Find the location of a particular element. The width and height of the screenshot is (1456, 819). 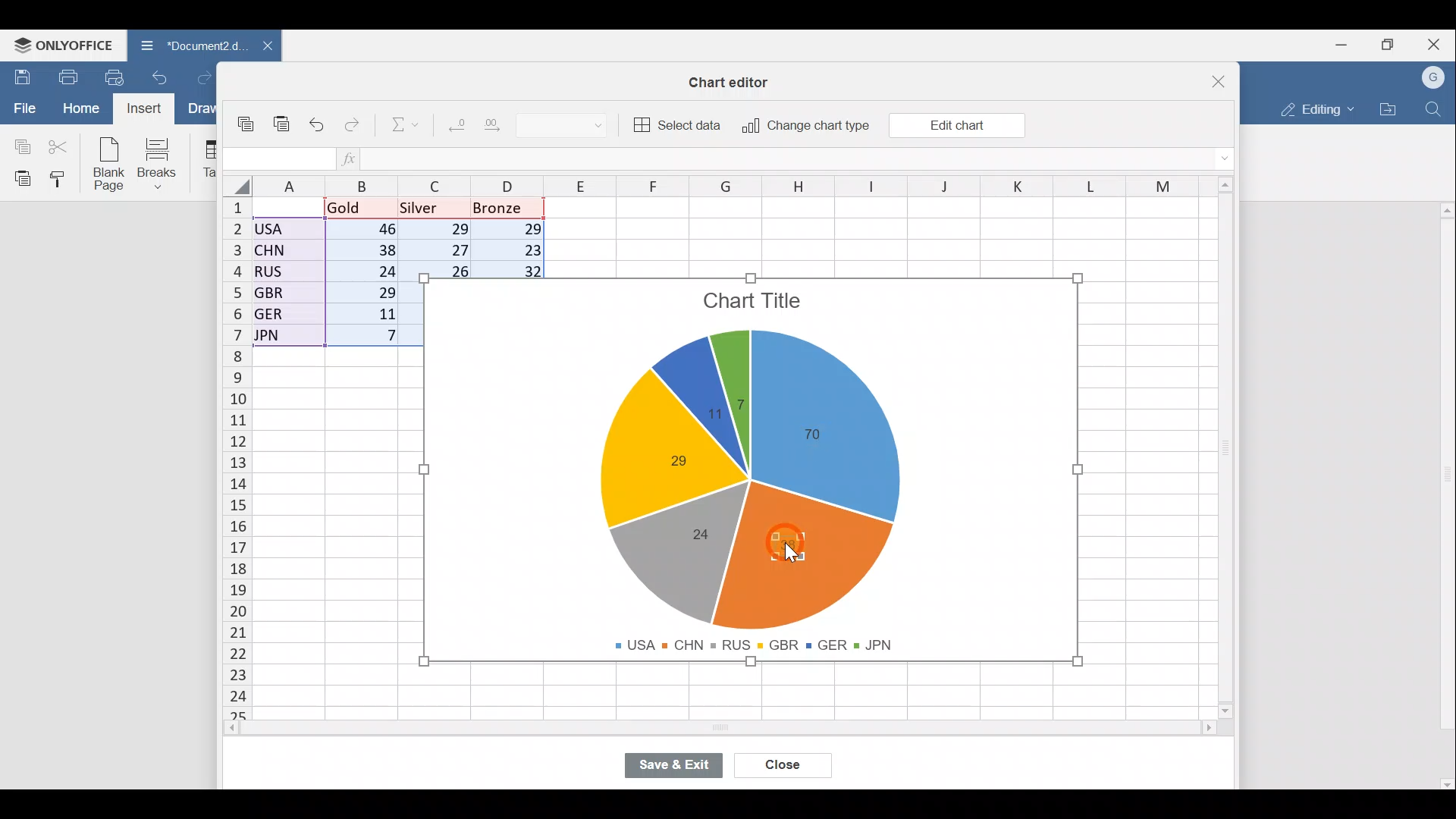

Chart legends is located at coordinates (761, 642).